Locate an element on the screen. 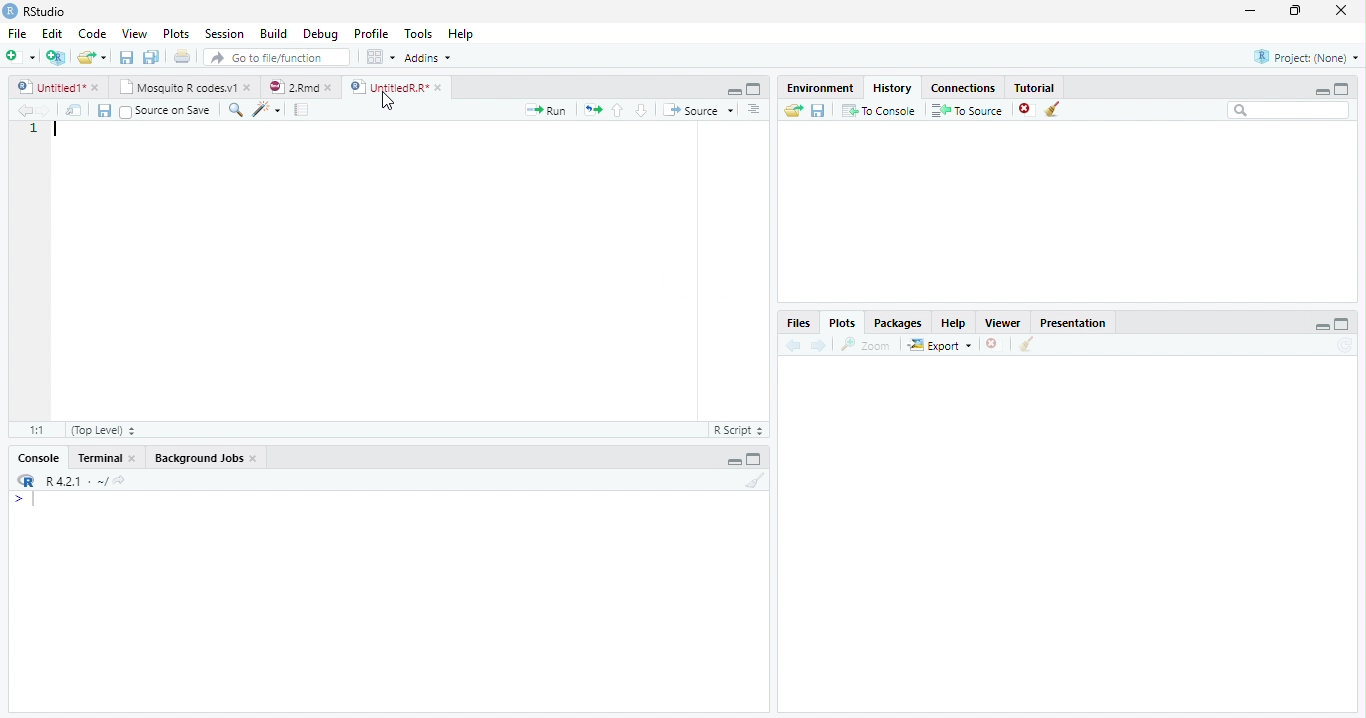  Go to file/function is located at coordinates (277, 57).